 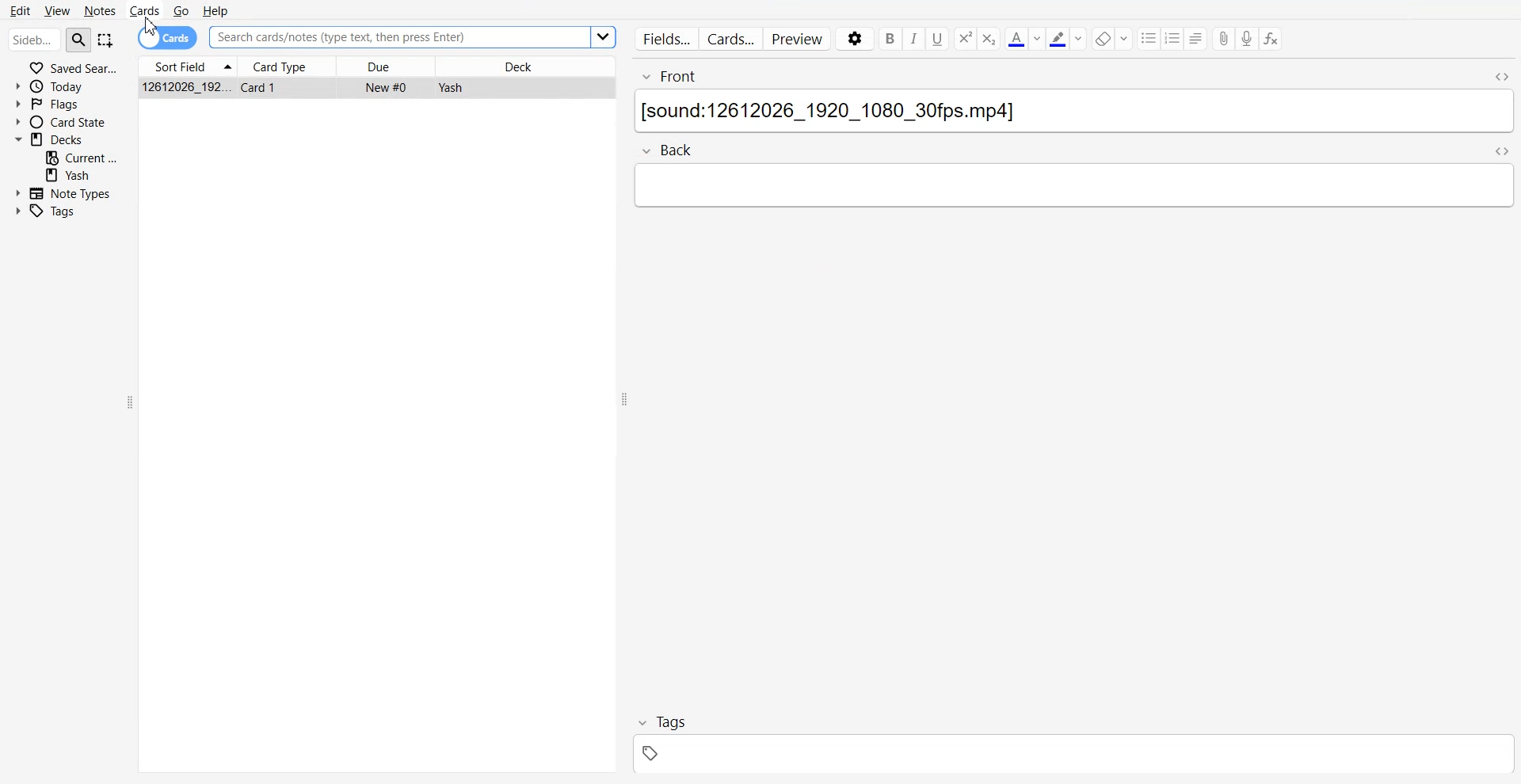 What do you see at coordinates (1054, 72) in the screenshot?
I see `Front` at bounding box center [1054, 72].